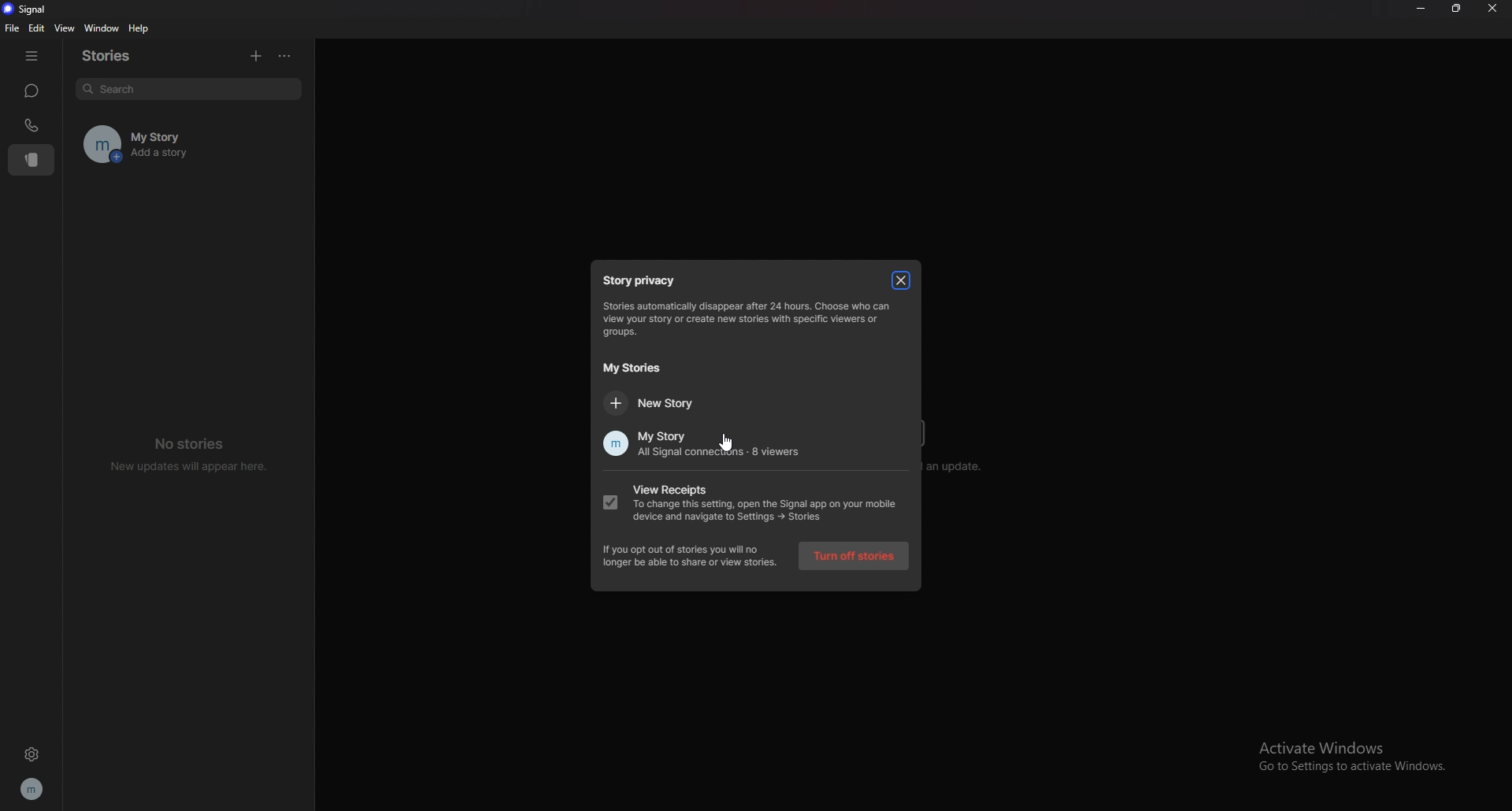 This screenshot has height=811, width=1512. I want to click on settings, so click(31, 755).